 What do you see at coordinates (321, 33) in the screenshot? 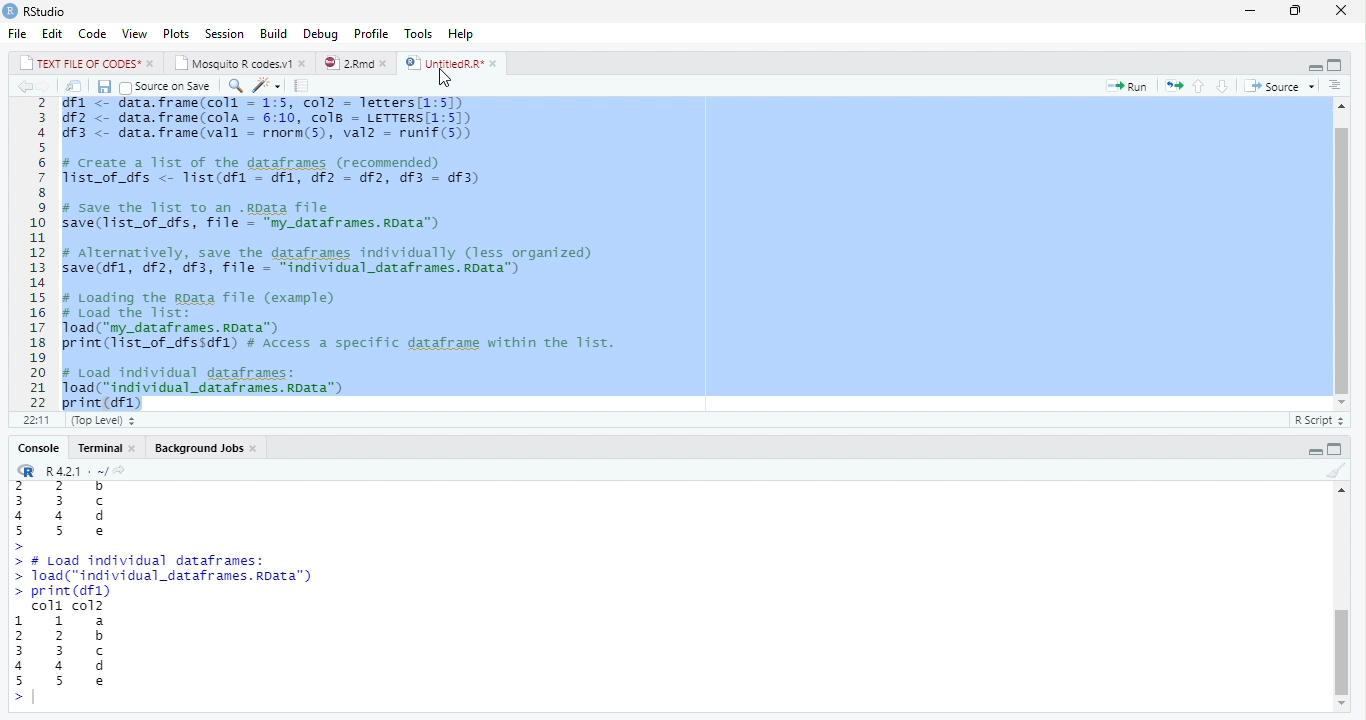
I see `Debug` at bounding box center [321, 33].